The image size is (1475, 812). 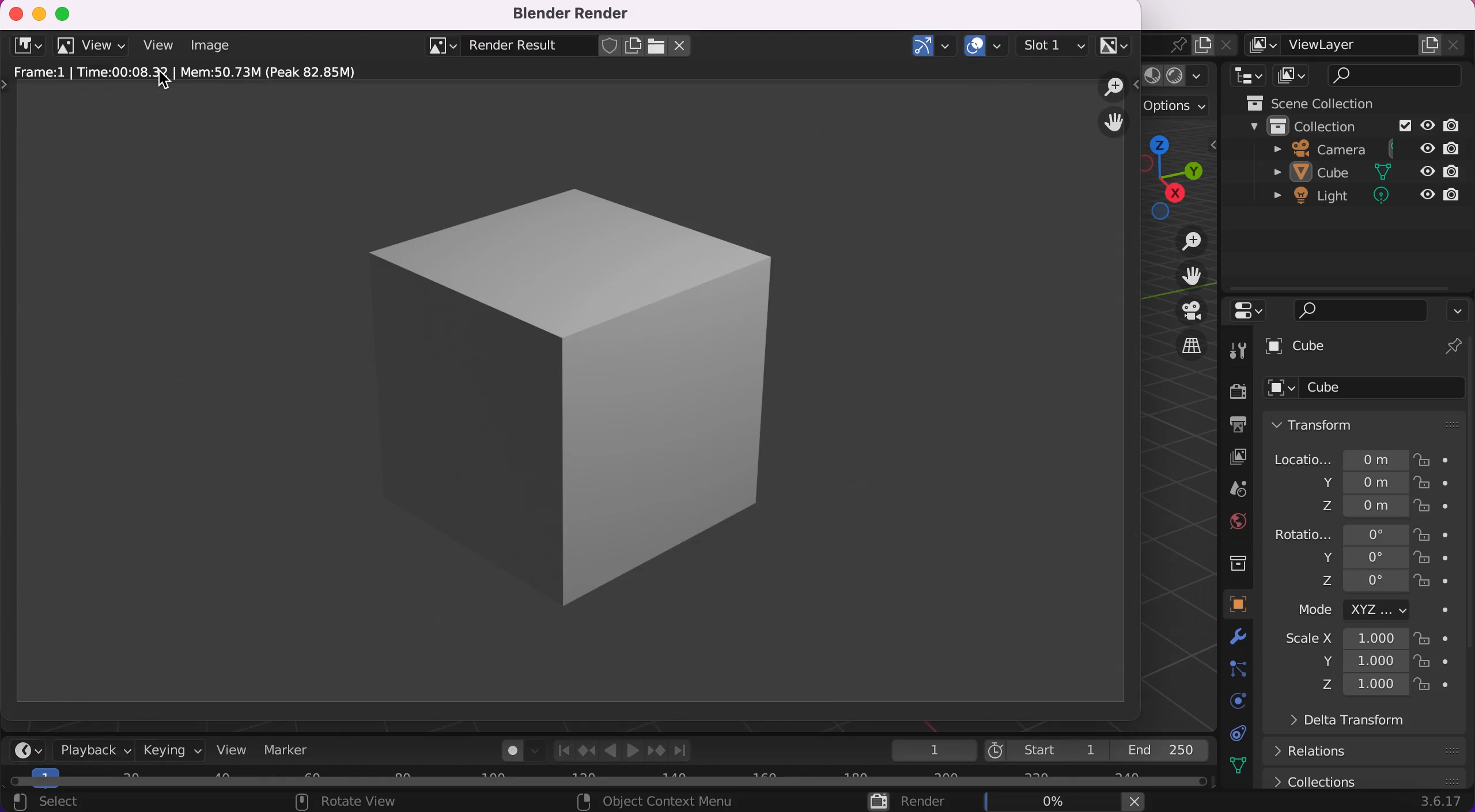 I want to click on lock, so click(x=1435, y=687).